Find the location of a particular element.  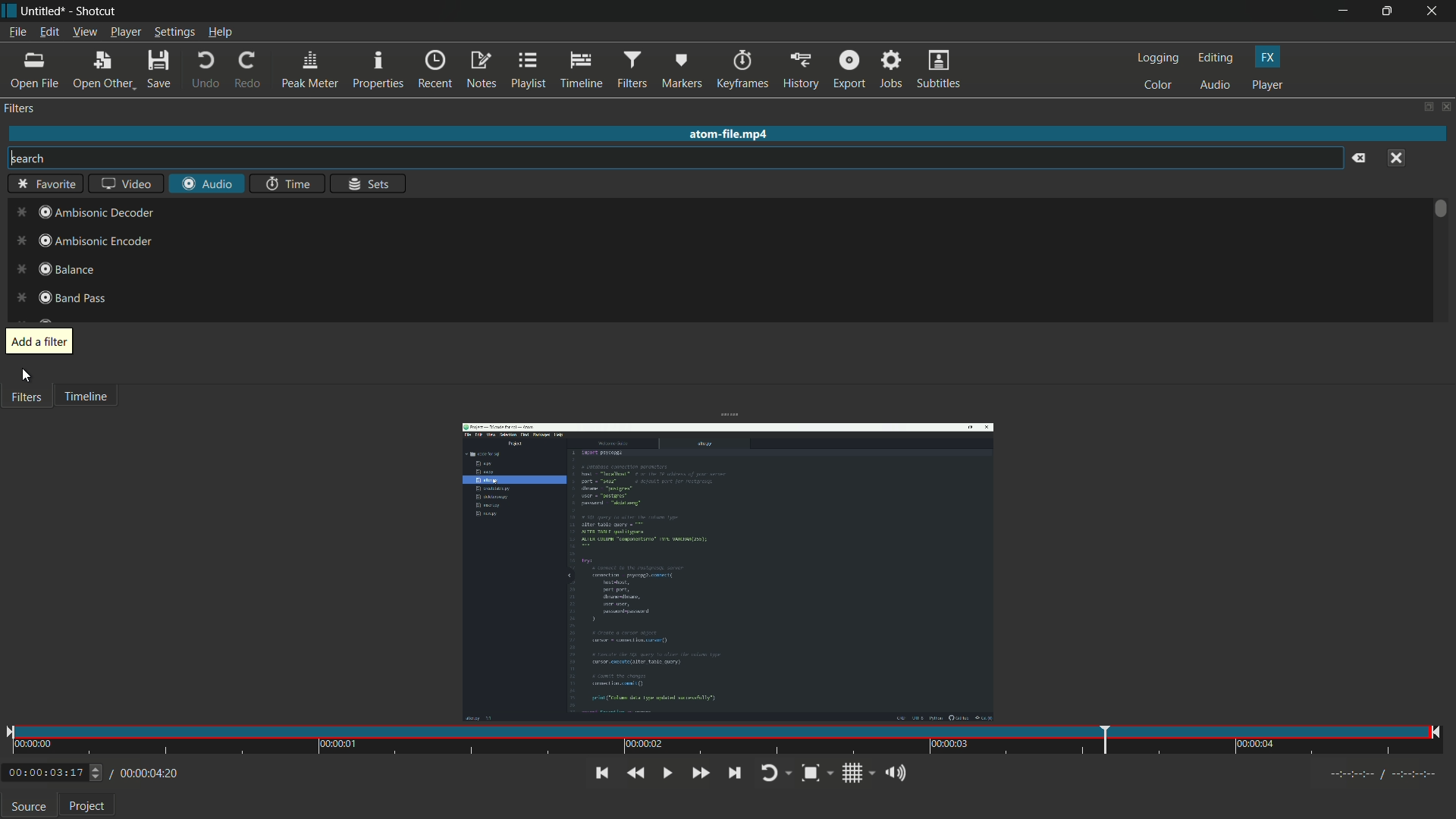

undo is located at coordinates (204, 69).